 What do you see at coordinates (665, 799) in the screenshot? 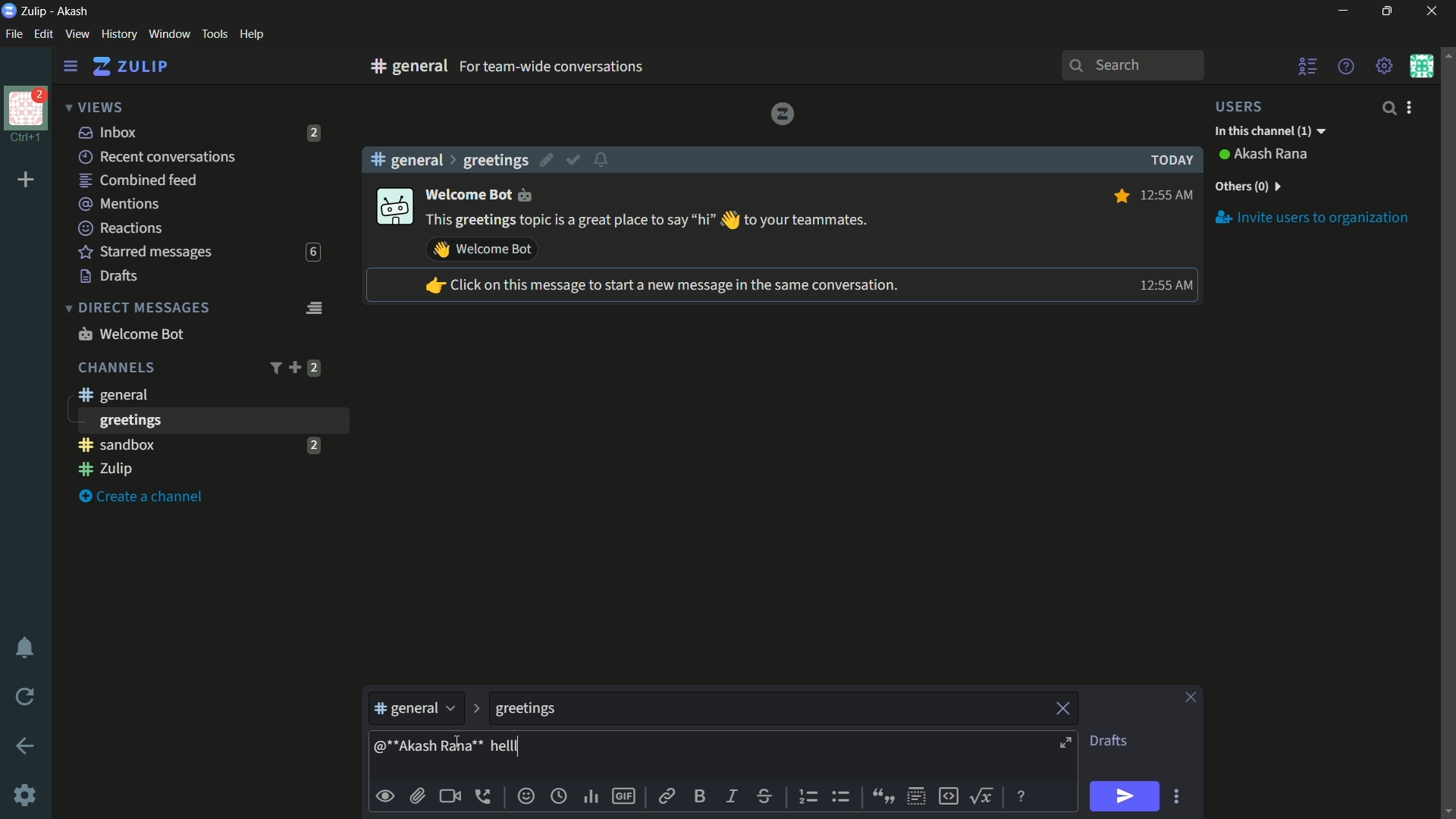
I see `link` at bounding box center [665, 799].